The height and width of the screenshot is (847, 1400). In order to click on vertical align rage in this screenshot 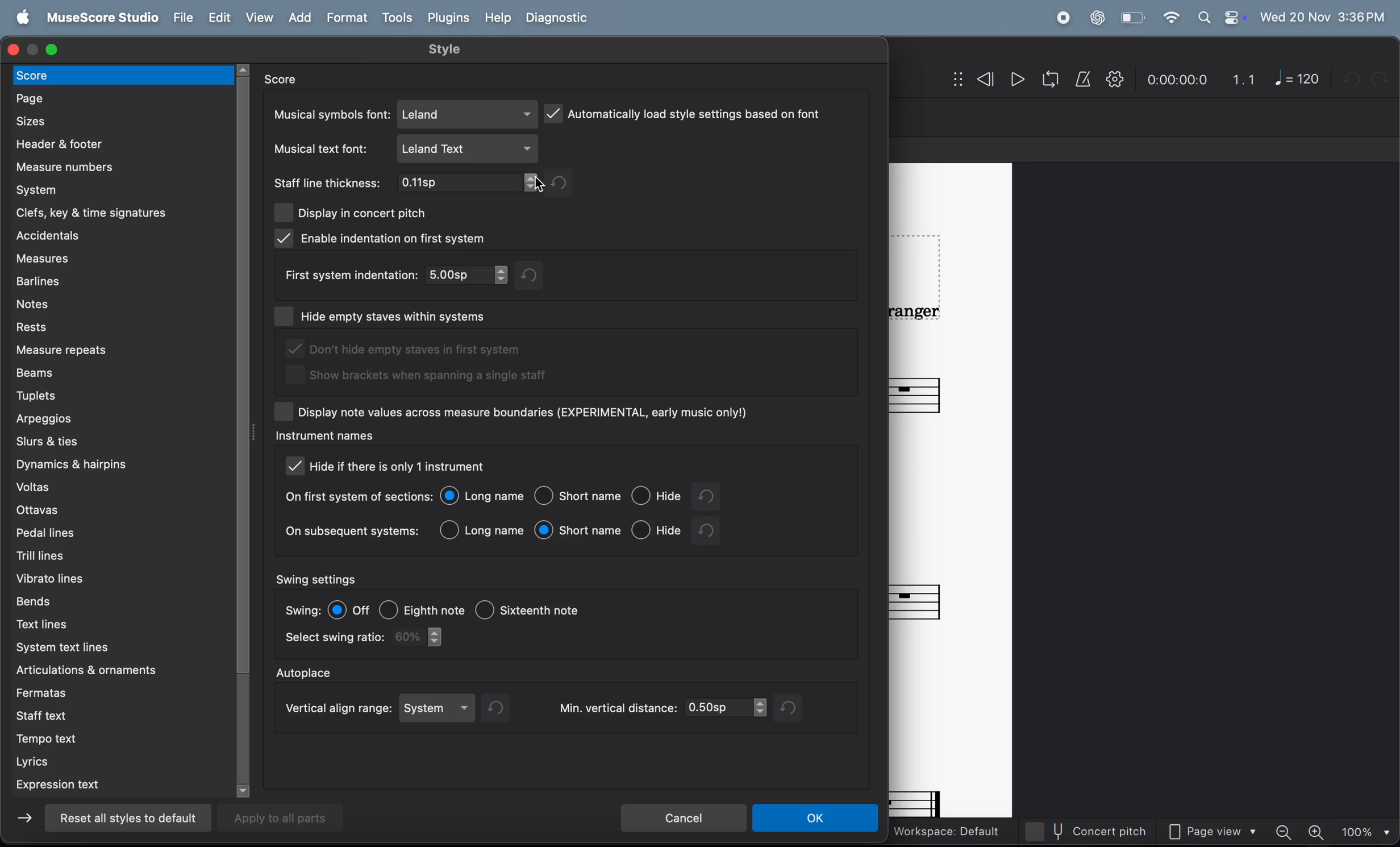, I will do `click(335, 709)`.